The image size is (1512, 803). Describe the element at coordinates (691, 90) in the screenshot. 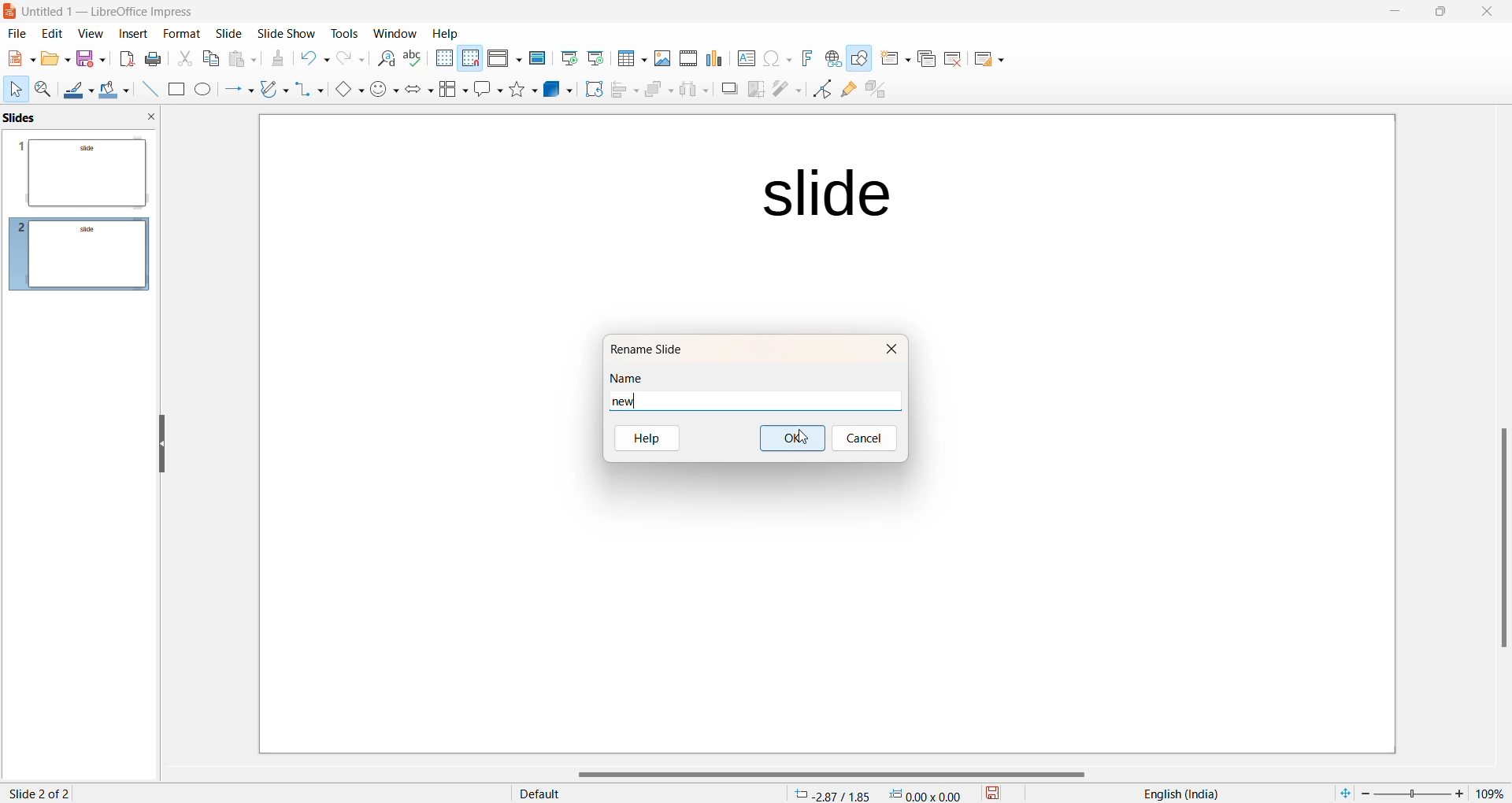

I see `Object distribution` at that location.